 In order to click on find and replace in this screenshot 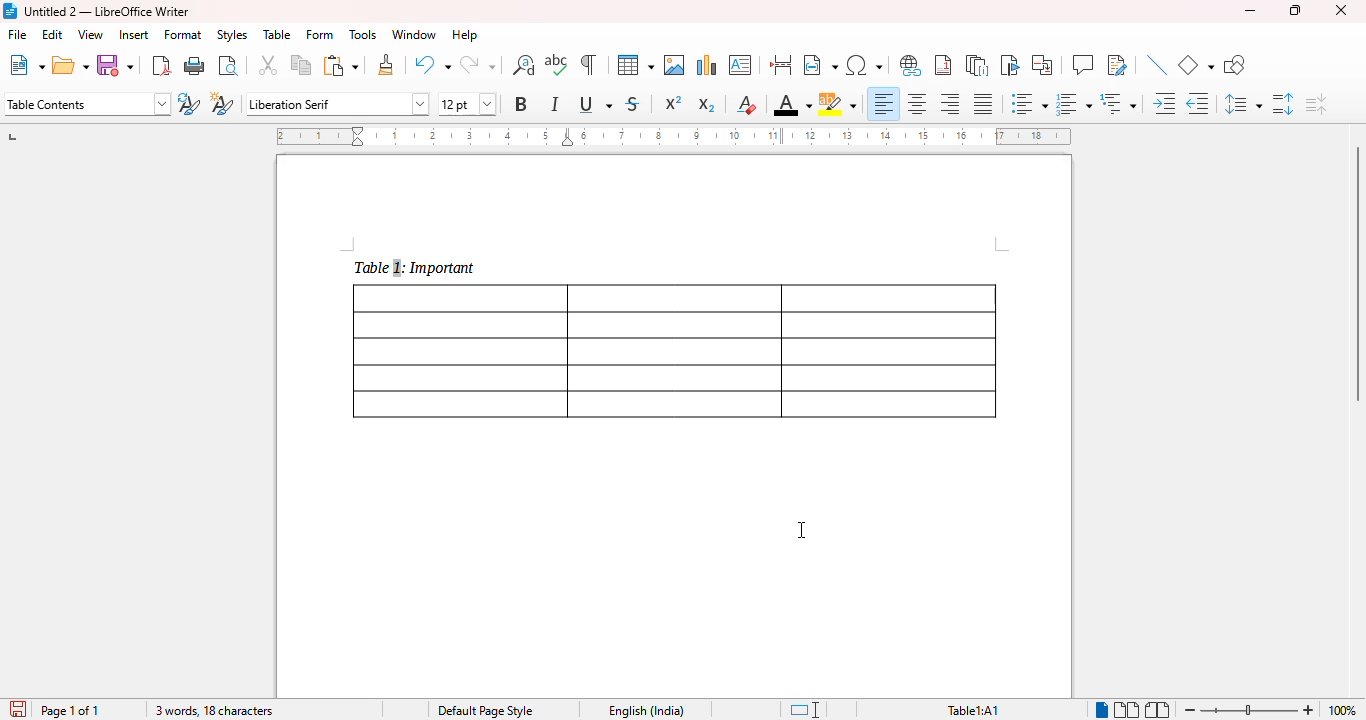, I will do `click(523, 65)`.